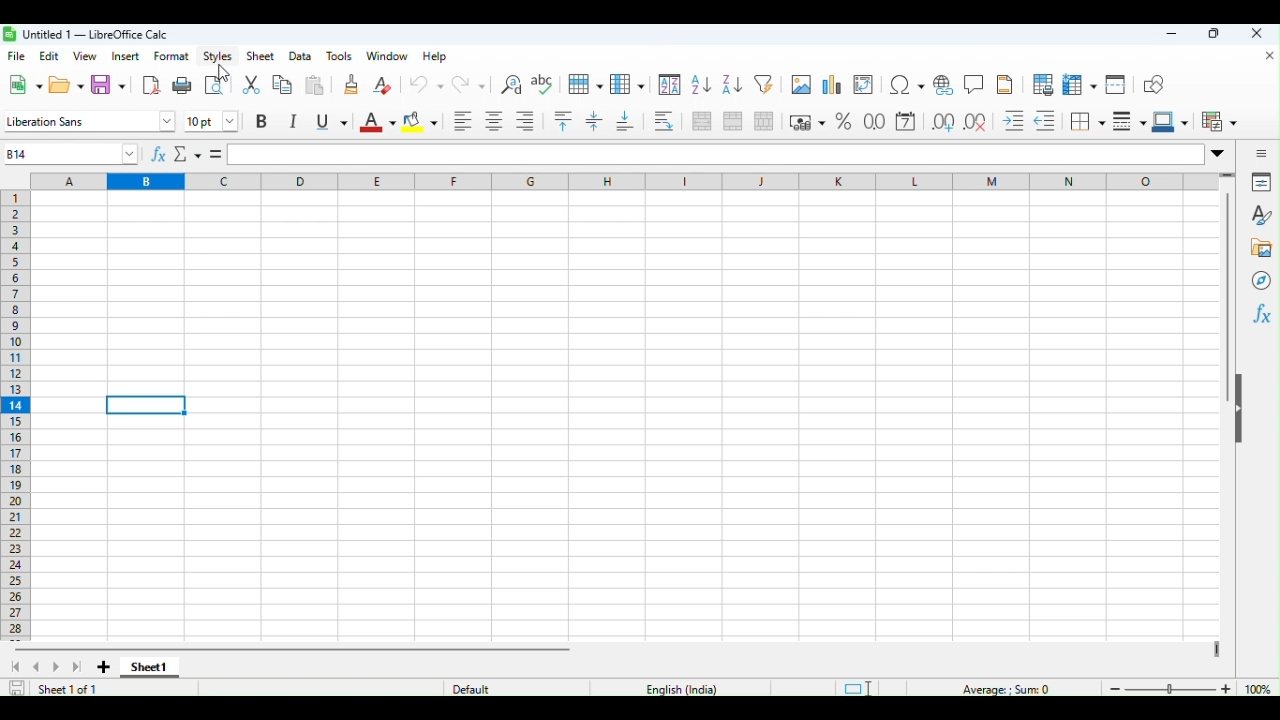 This screenshot has height=720, width=1280. I want to click on Shift decimal, so click(940, 120).